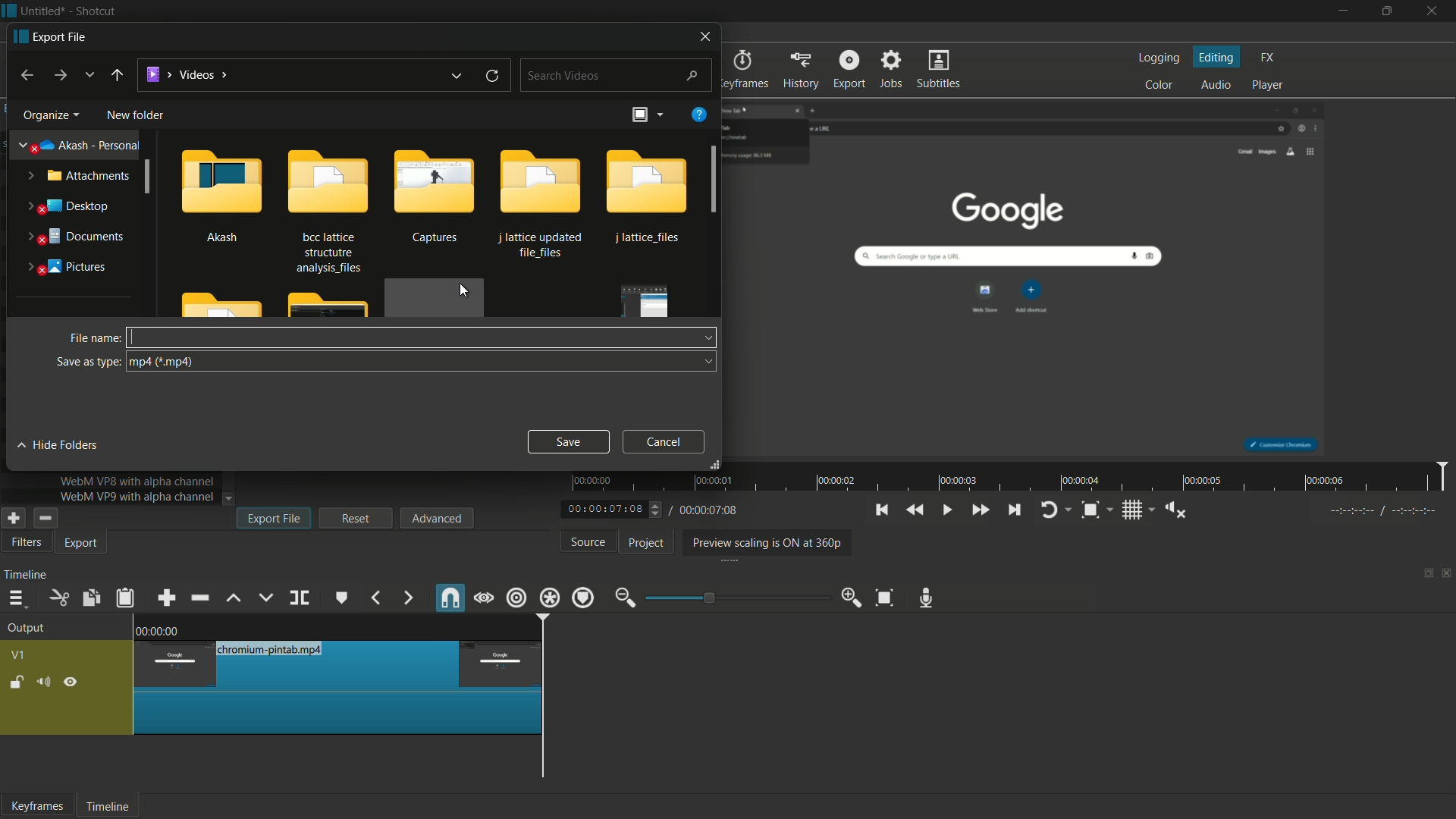 This screenshot has width=1456, height=819. I want to click on minimize, so click(1343, 11).